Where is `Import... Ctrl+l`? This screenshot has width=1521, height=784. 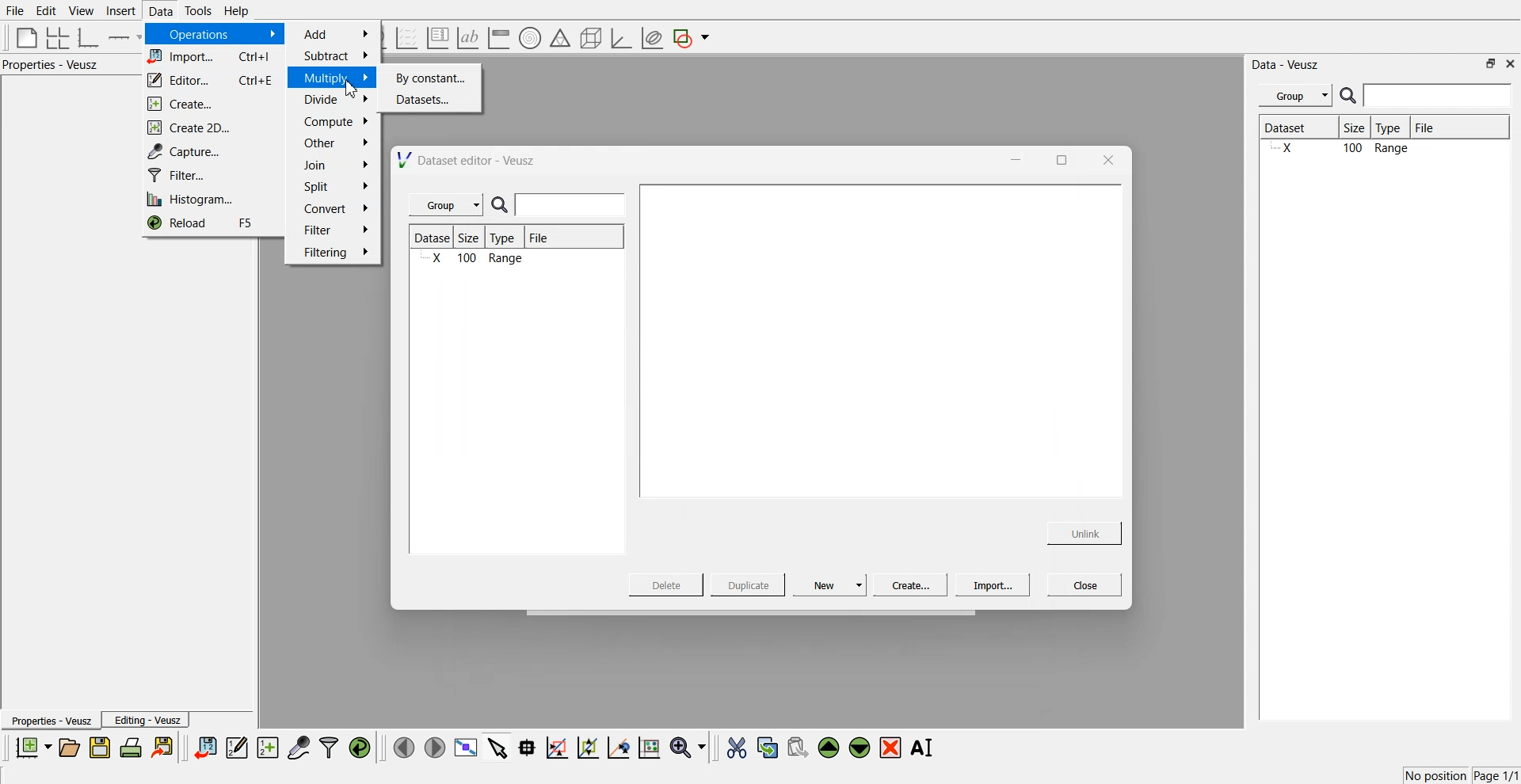 Import... Ctrl+l is located at coordinates (212, 58).